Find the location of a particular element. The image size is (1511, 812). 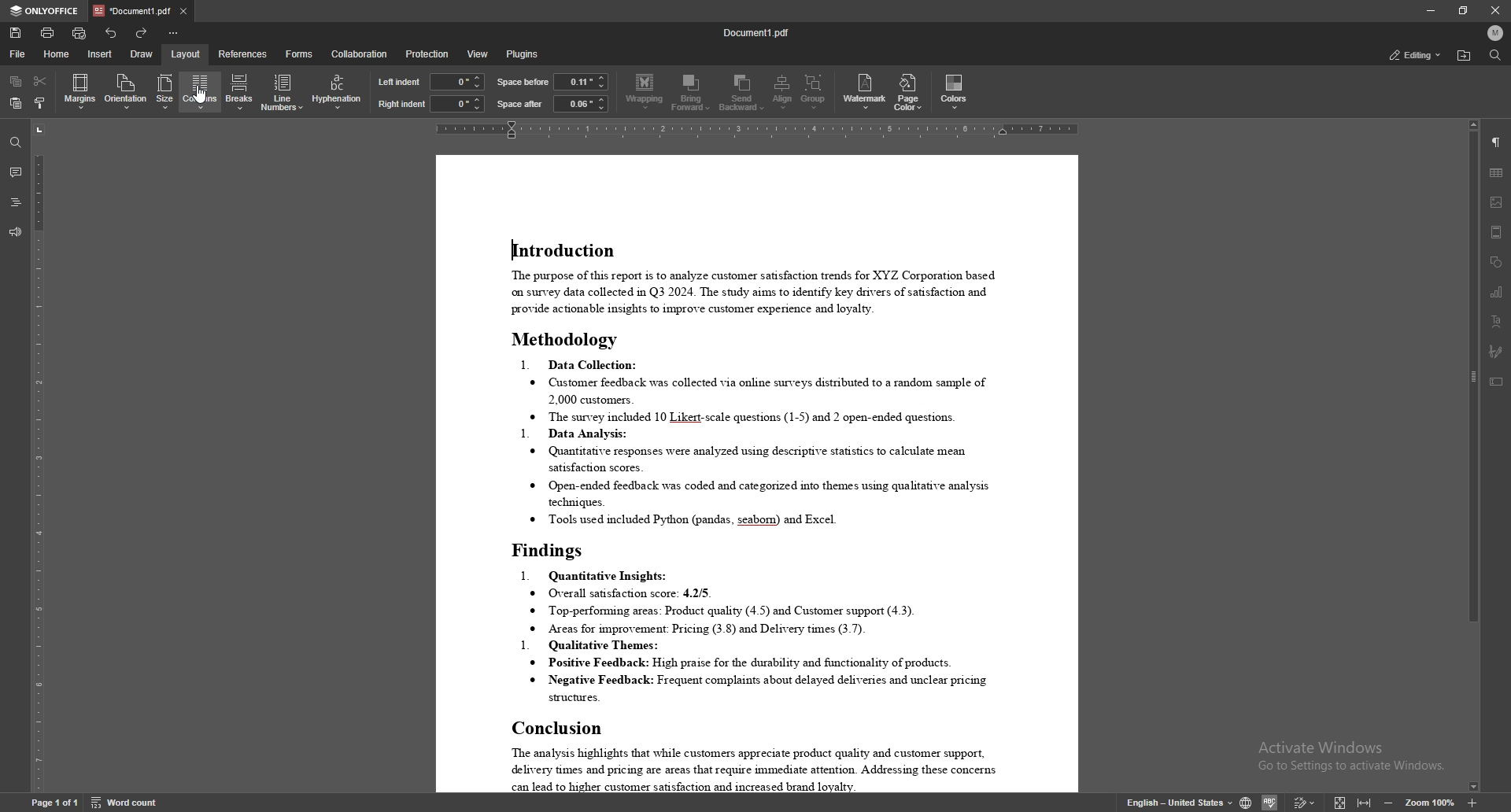

references is located at coordinates (242, 53).